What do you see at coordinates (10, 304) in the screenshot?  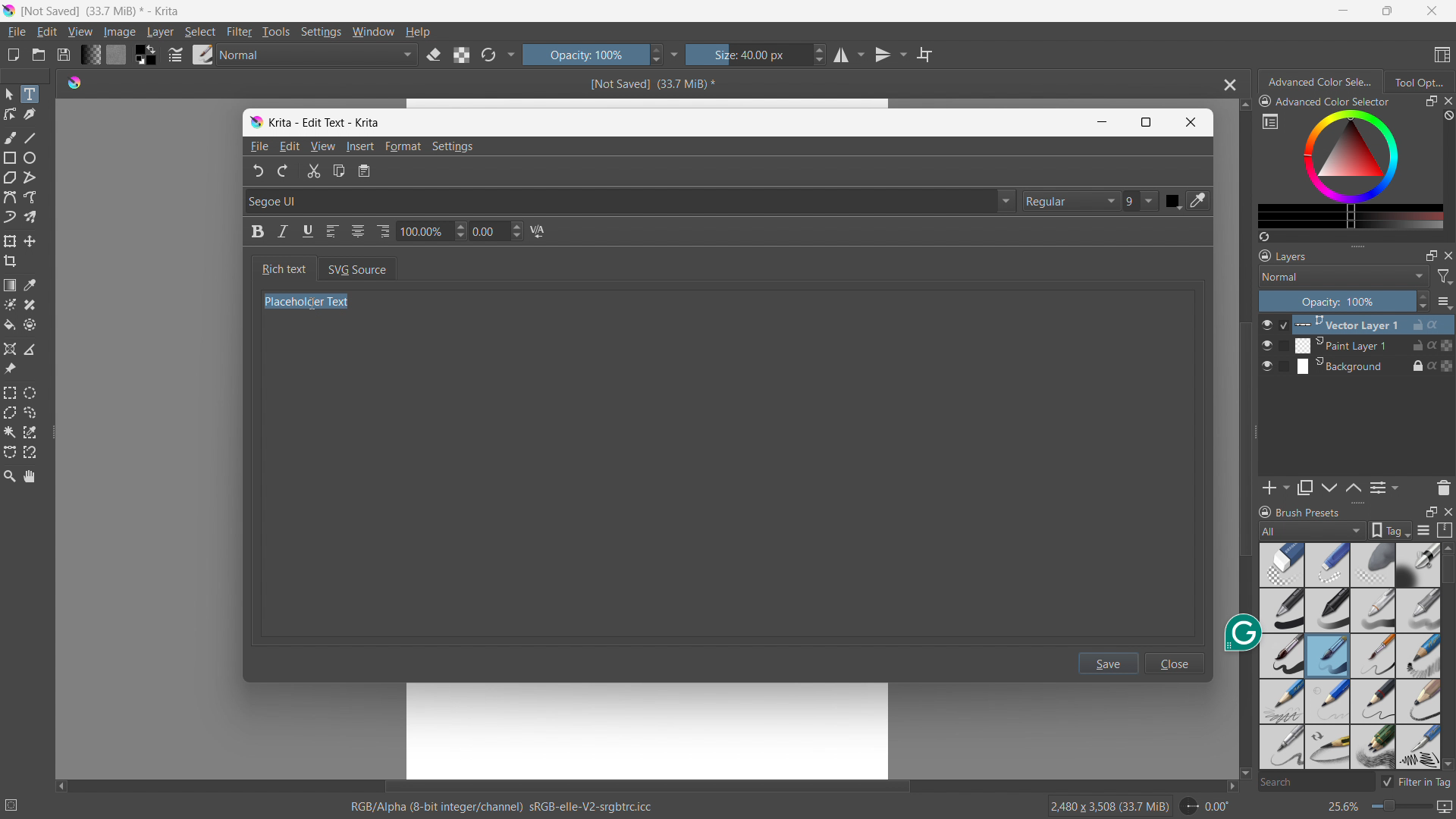 I see `colorize mask tool` at bounding box center [10, 304].